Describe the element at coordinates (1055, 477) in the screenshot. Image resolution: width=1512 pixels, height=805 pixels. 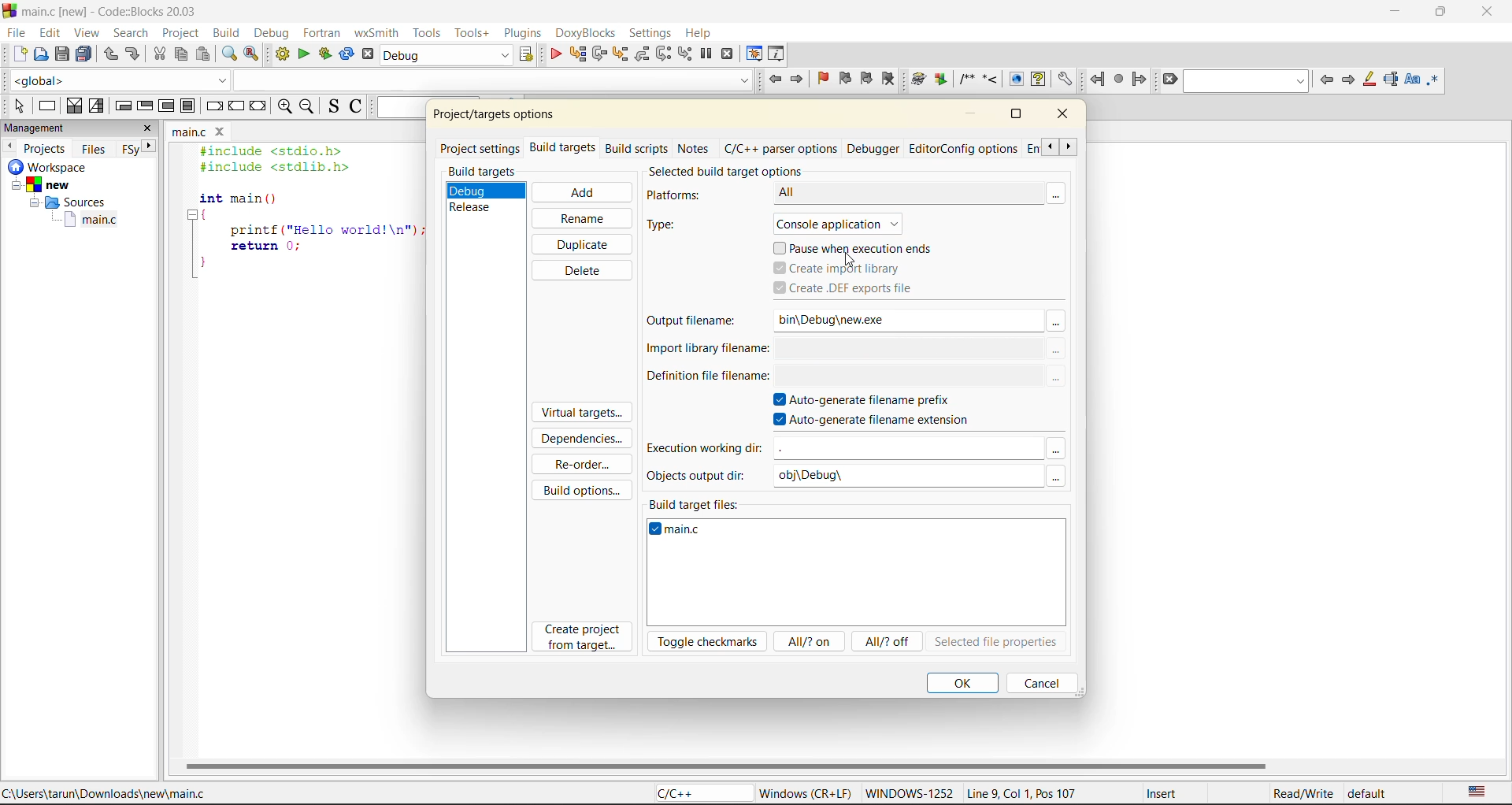
I see `More` at that location.